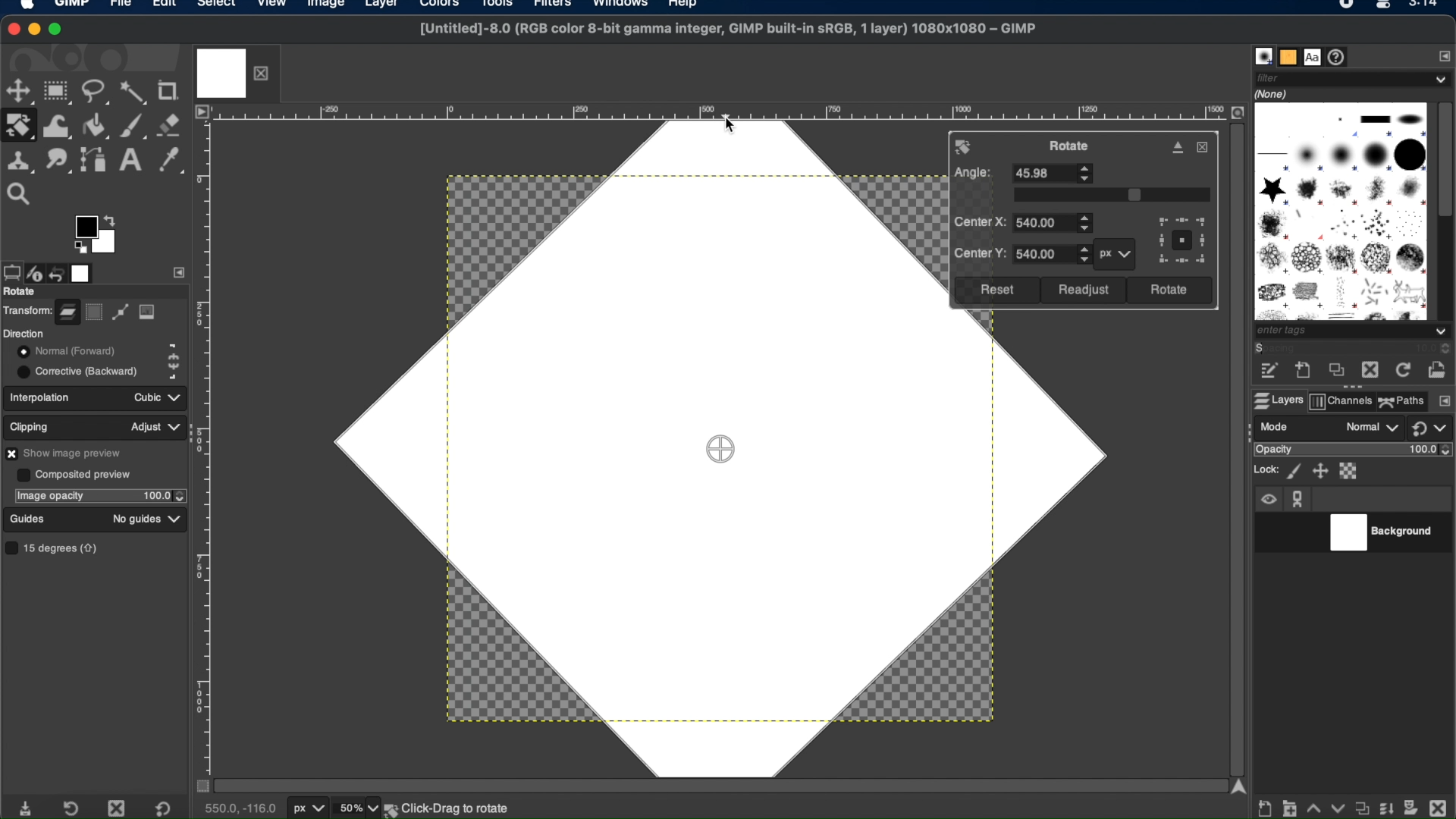 This screenshot has width=1456, height=819. Describe the element at coordinates (28, 807) in the screenshot. I see `save tool preset` at that location.